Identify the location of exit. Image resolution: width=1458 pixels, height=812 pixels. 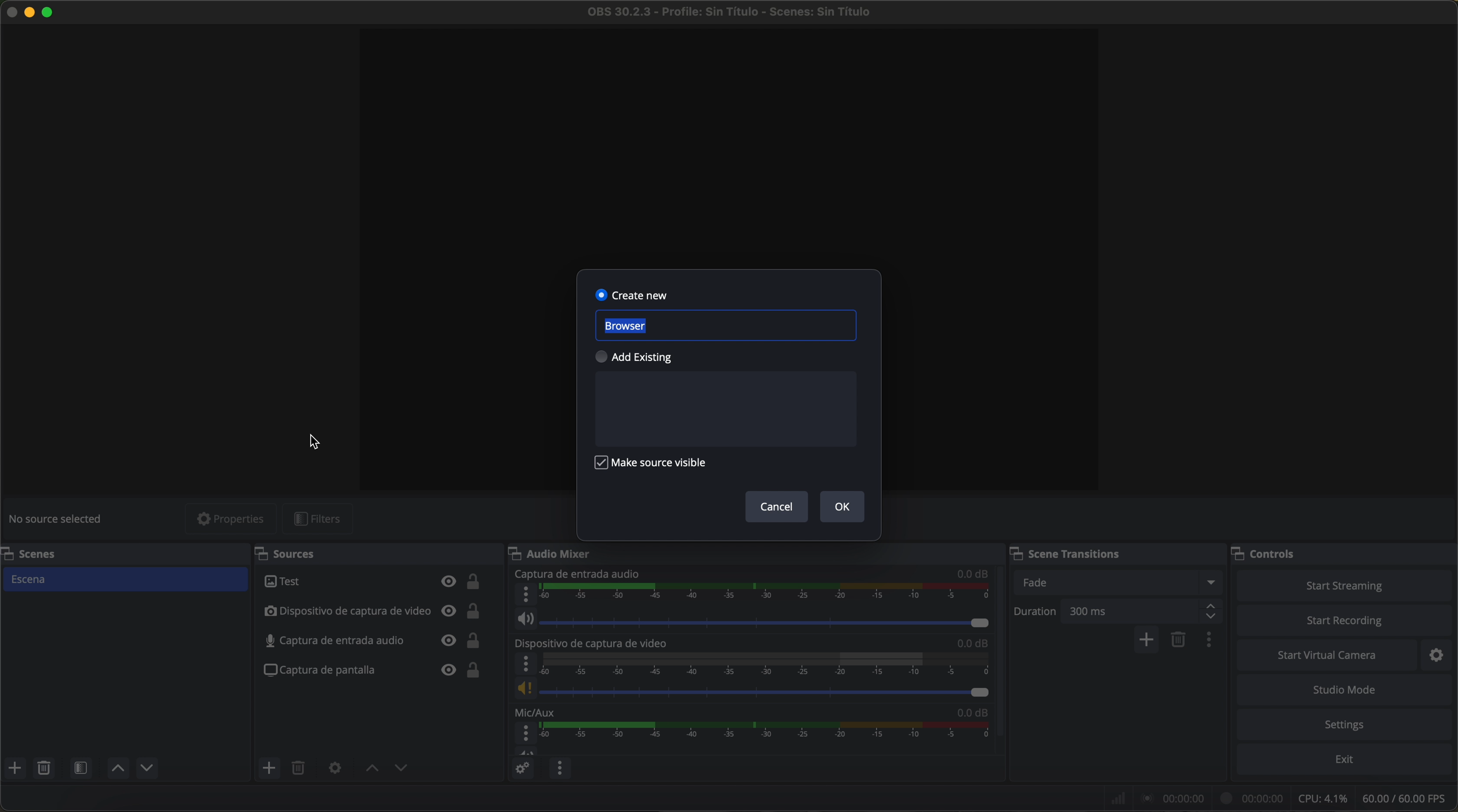
(1348, 760).